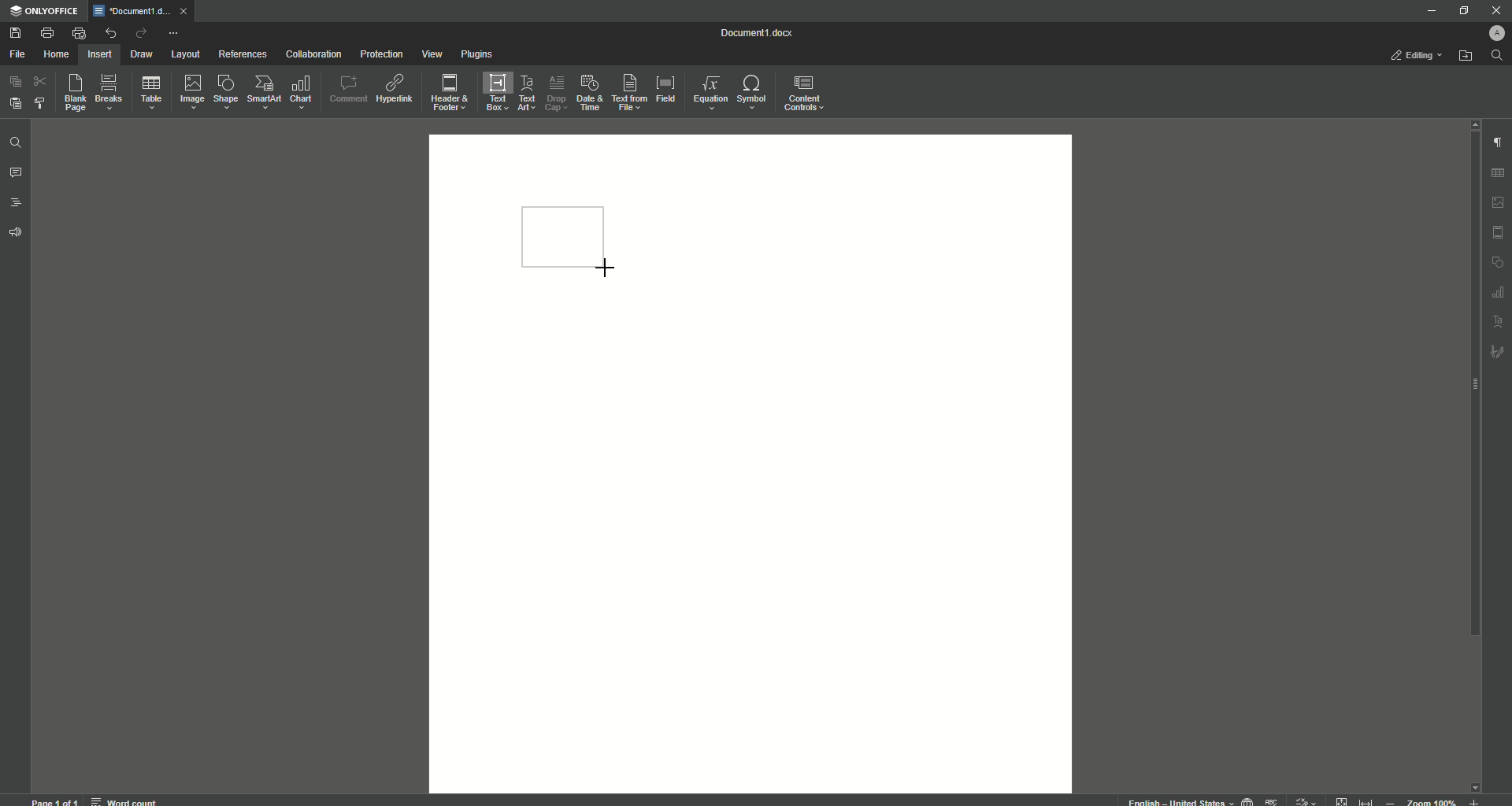 Image resolution: width=1512 pixels, height=806 pixels. Describe the element at coordinates (187, 10) in the screenshot. I see `close` at that location.